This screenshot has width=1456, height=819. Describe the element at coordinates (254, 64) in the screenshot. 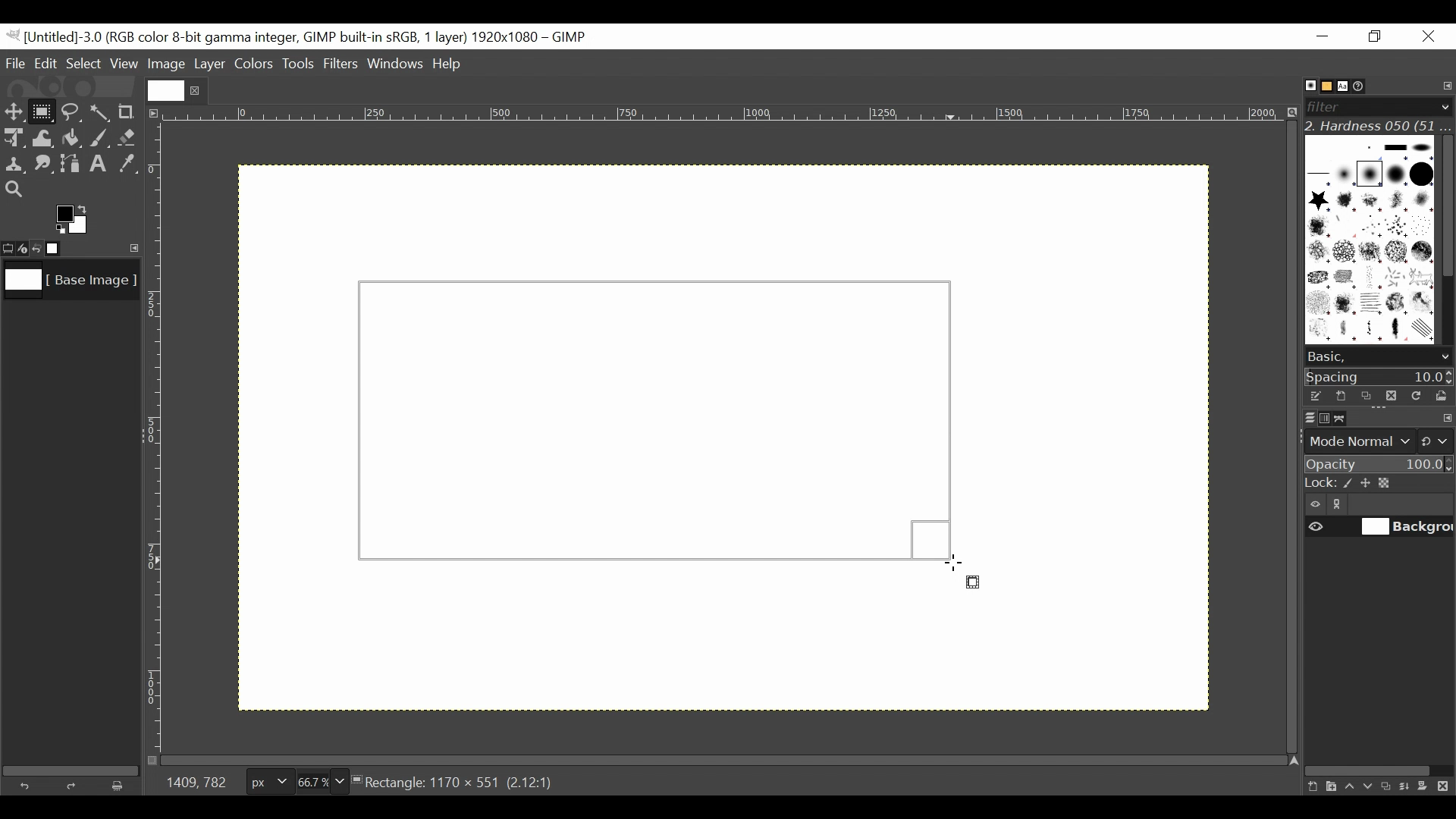

I see `Colors` at that location.